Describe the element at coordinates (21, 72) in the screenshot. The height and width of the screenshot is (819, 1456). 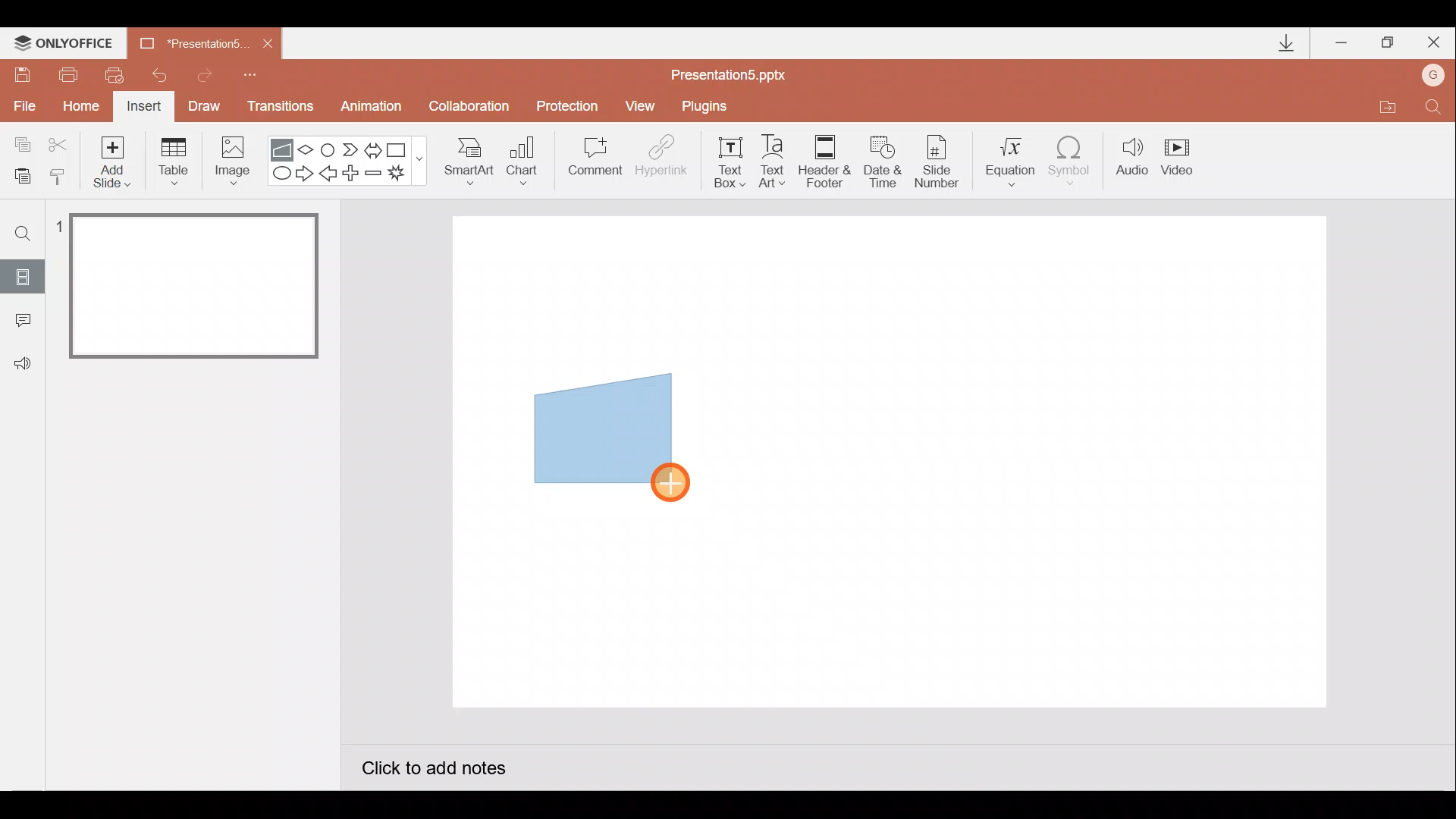
I see `Save` at that location.